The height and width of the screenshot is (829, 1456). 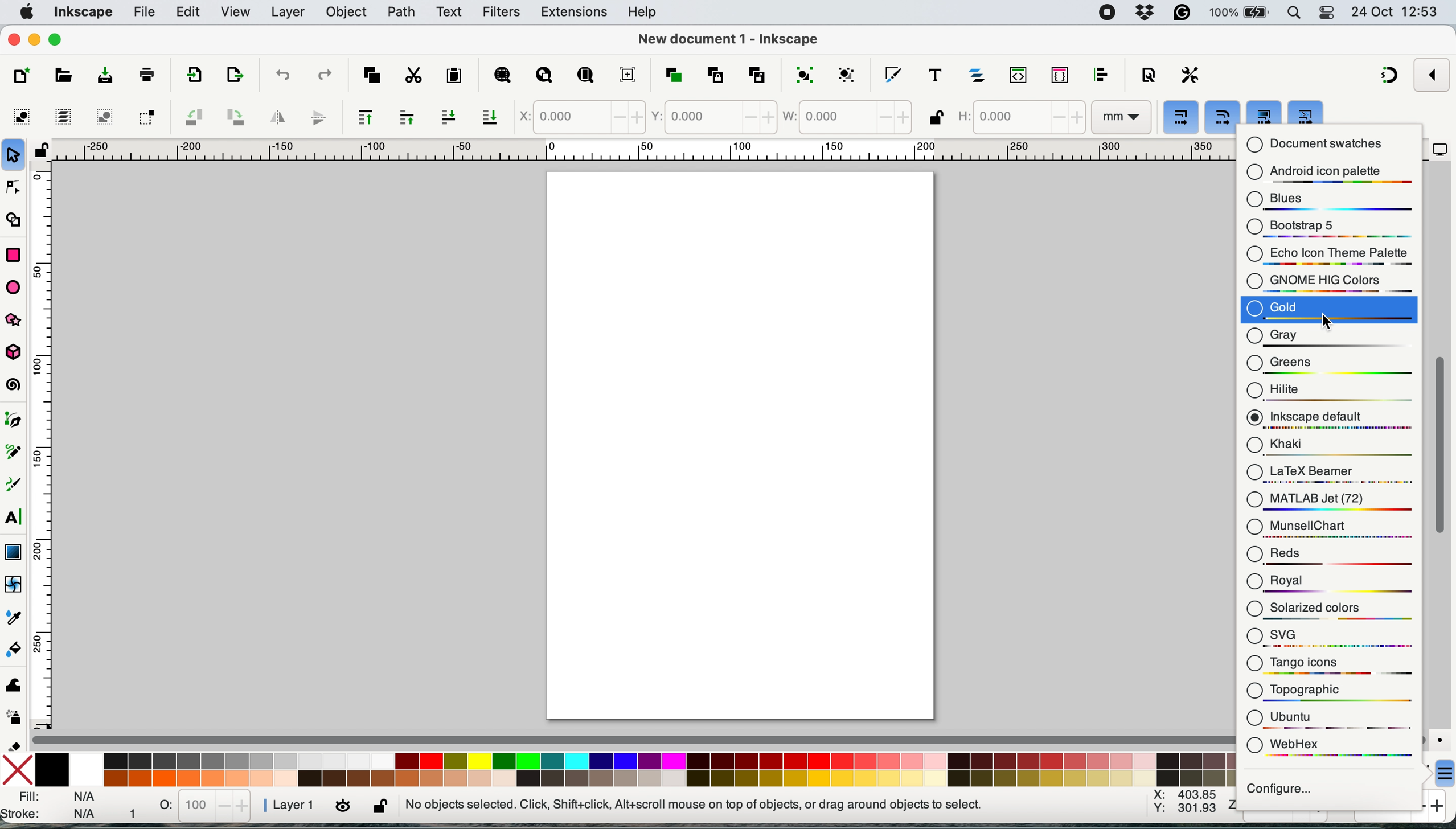 I want to click on when scaling rectangles scale the radii of rounded corners, so click(x=1223, y=118).